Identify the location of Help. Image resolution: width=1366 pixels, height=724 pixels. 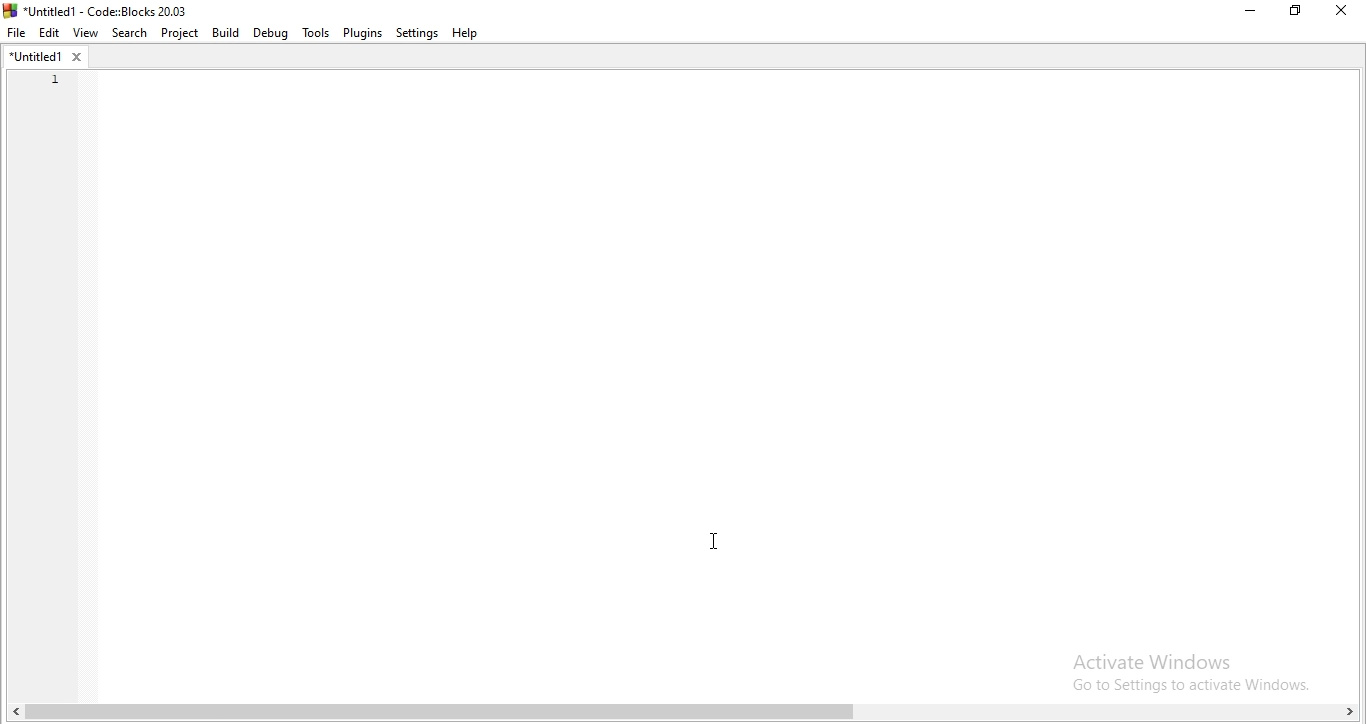
(464, 32).